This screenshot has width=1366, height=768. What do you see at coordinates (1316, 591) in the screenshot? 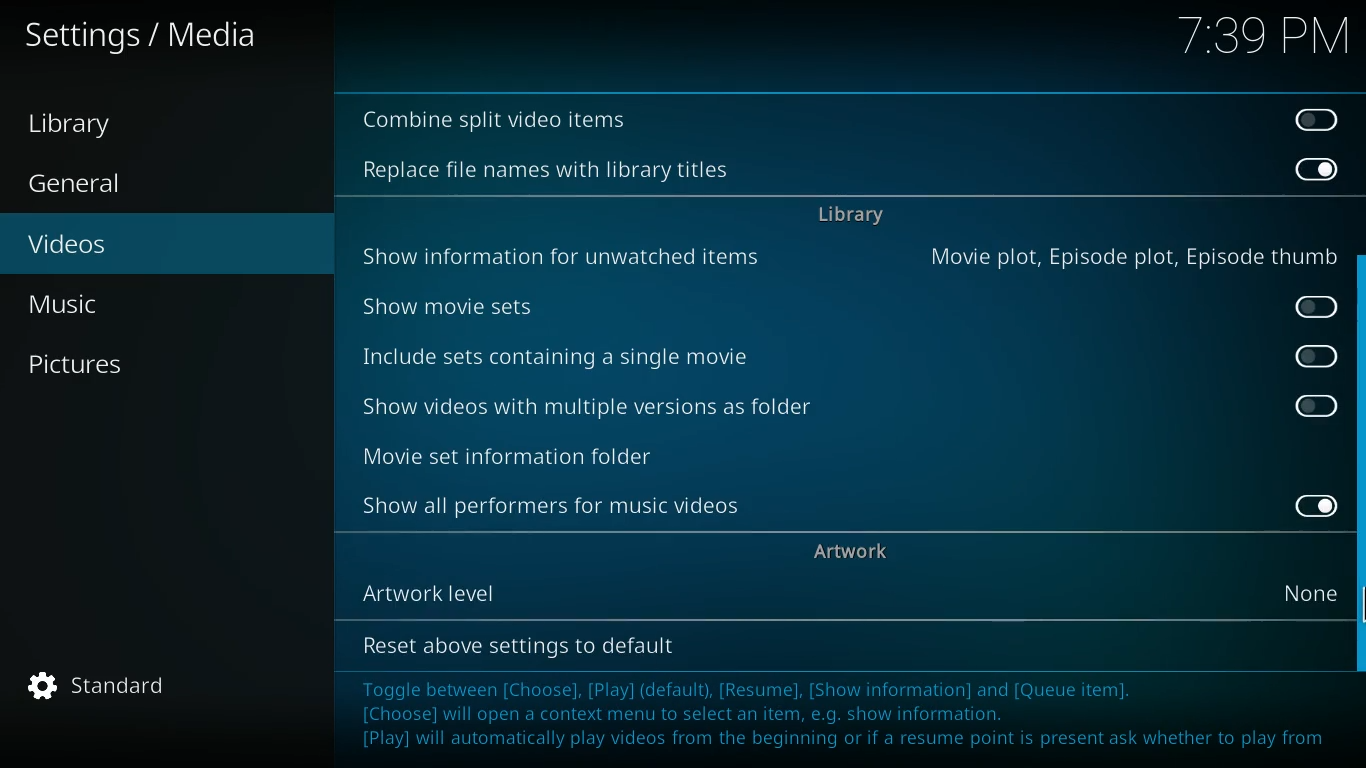
I see `None` at bounding box center [1316, 591].